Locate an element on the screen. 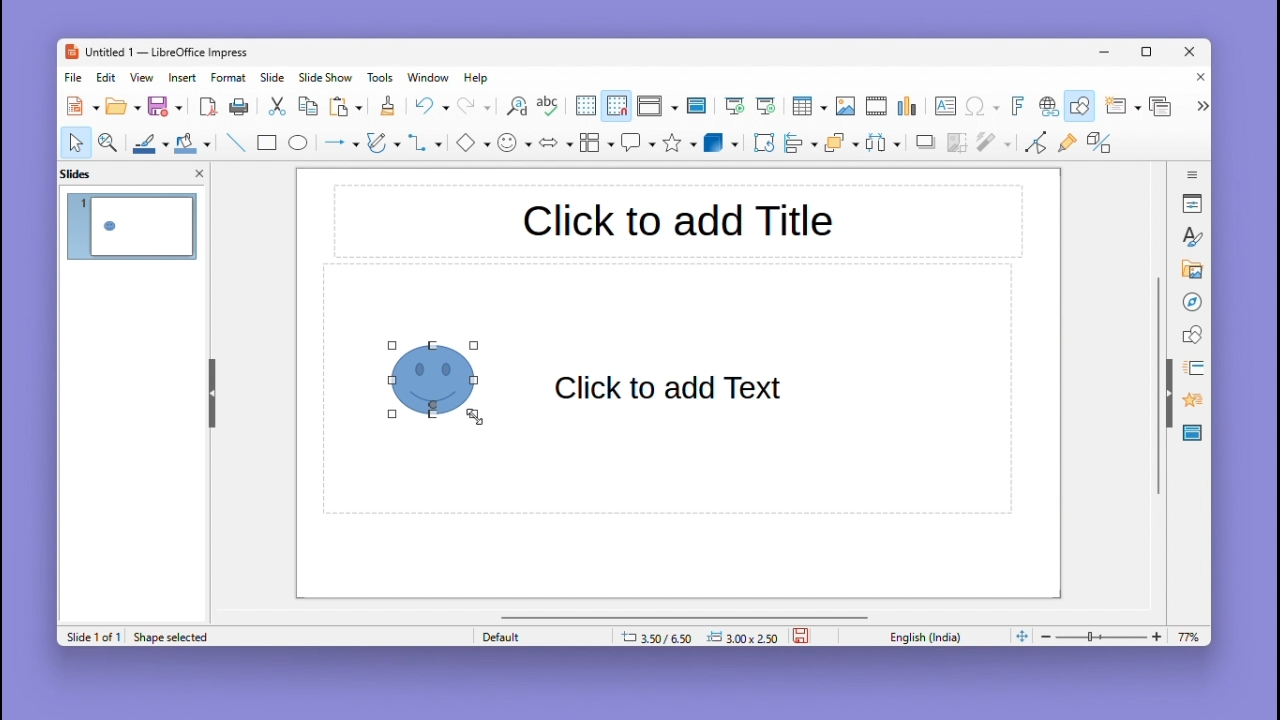 The width and height of the screenshot is (1280, 720). Fill colour is located at coordinates (190, 143).